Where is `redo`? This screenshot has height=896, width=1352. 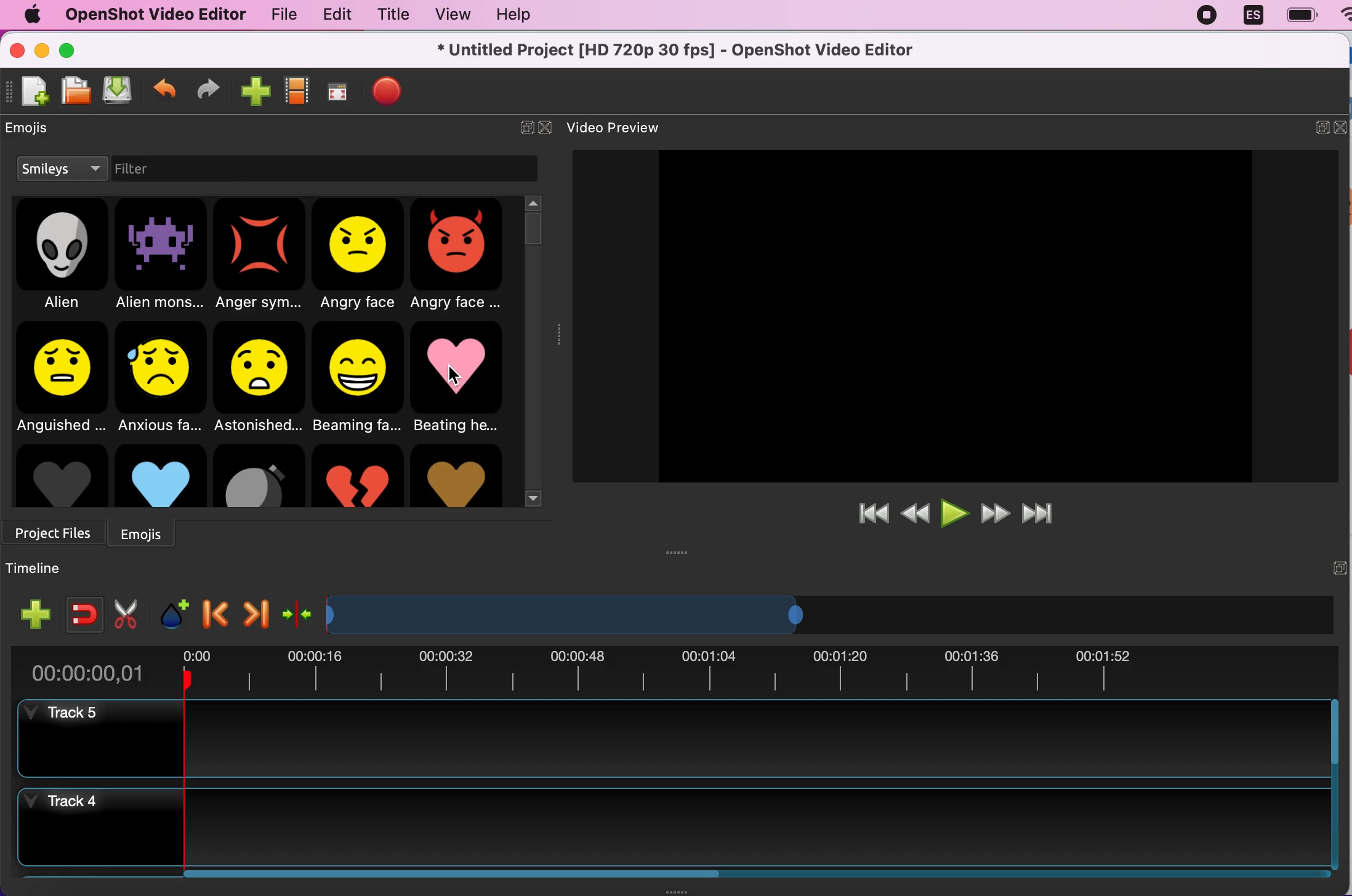
redo is located at coordinates (209, 89).